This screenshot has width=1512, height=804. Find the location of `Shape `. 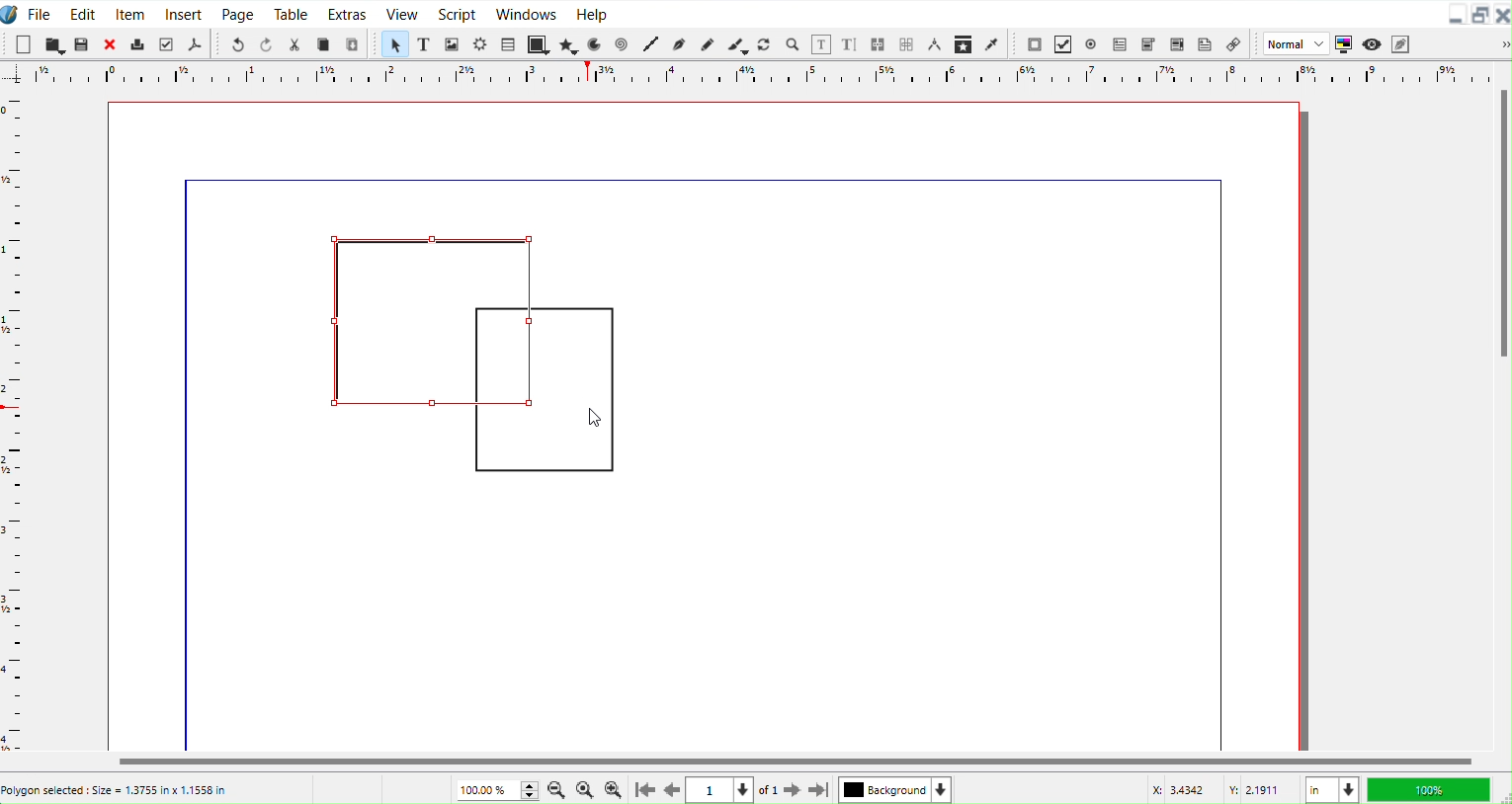

Shape  is located at coordinates (539, 43).